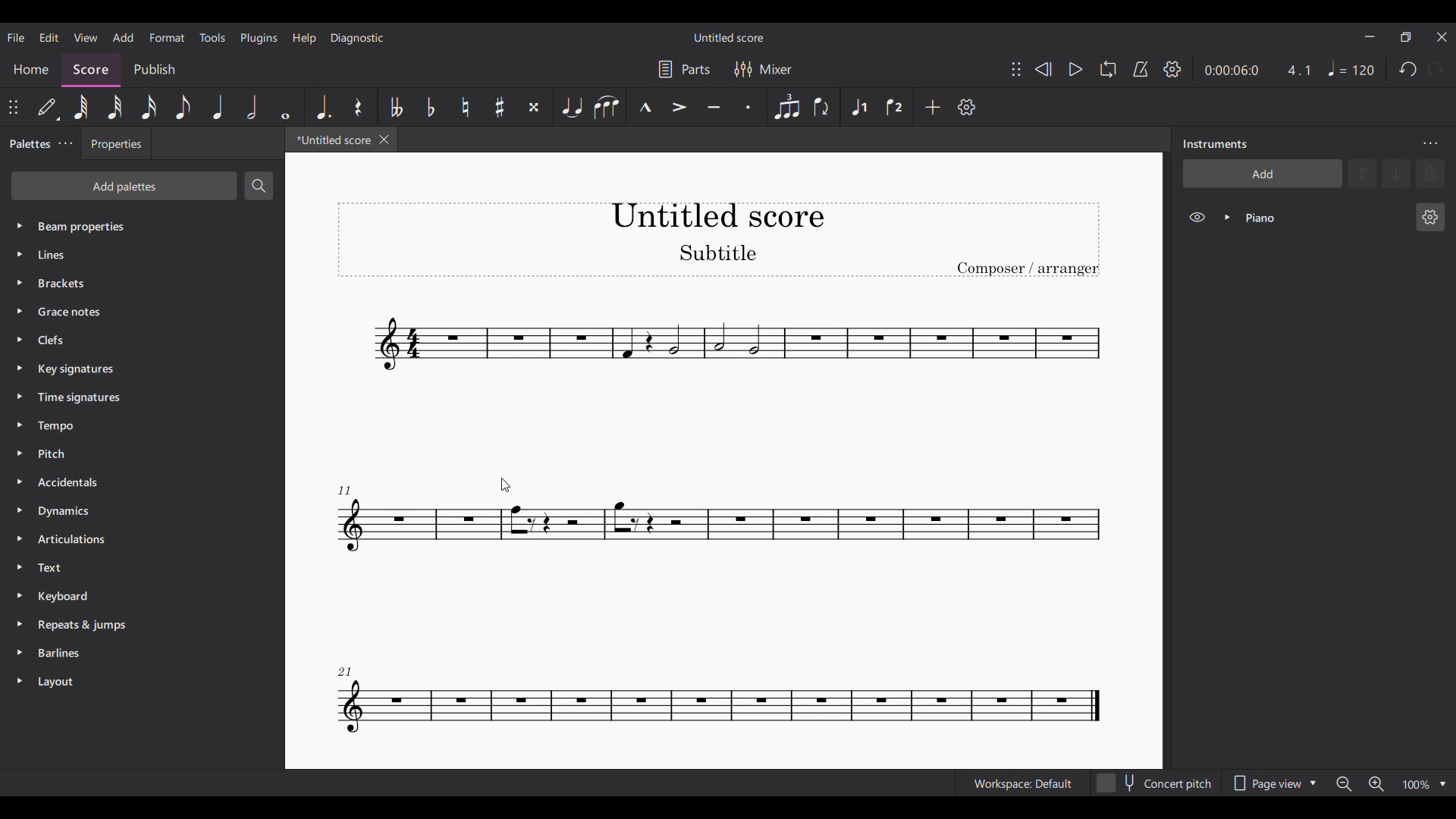 The height and width of the screenshot is (819, 1456). I want to click on Page view options, so click(1276, 779).